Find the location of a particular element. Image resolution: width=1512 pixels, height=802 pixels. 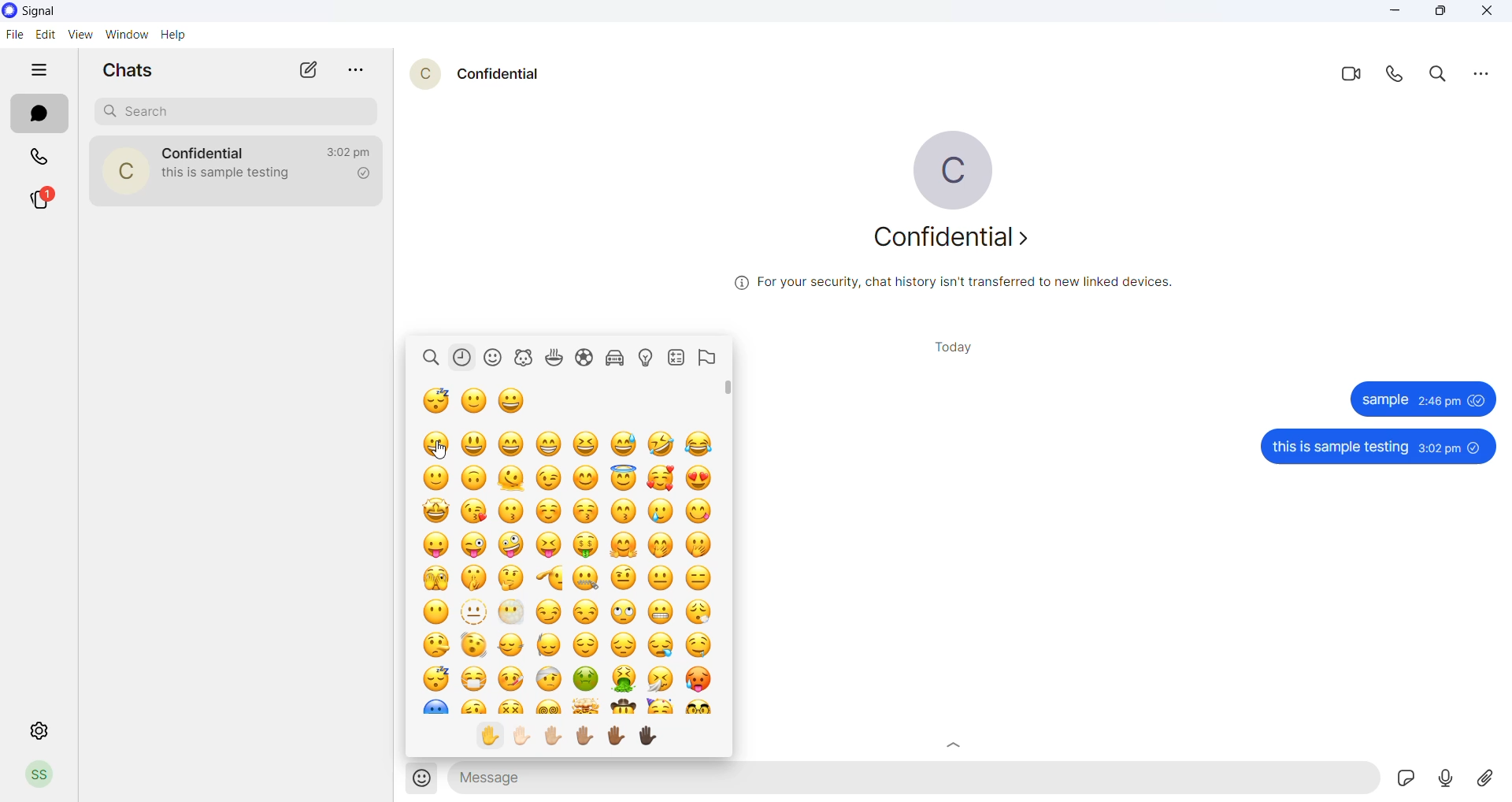

emojis is located at coordinates (418, 779).